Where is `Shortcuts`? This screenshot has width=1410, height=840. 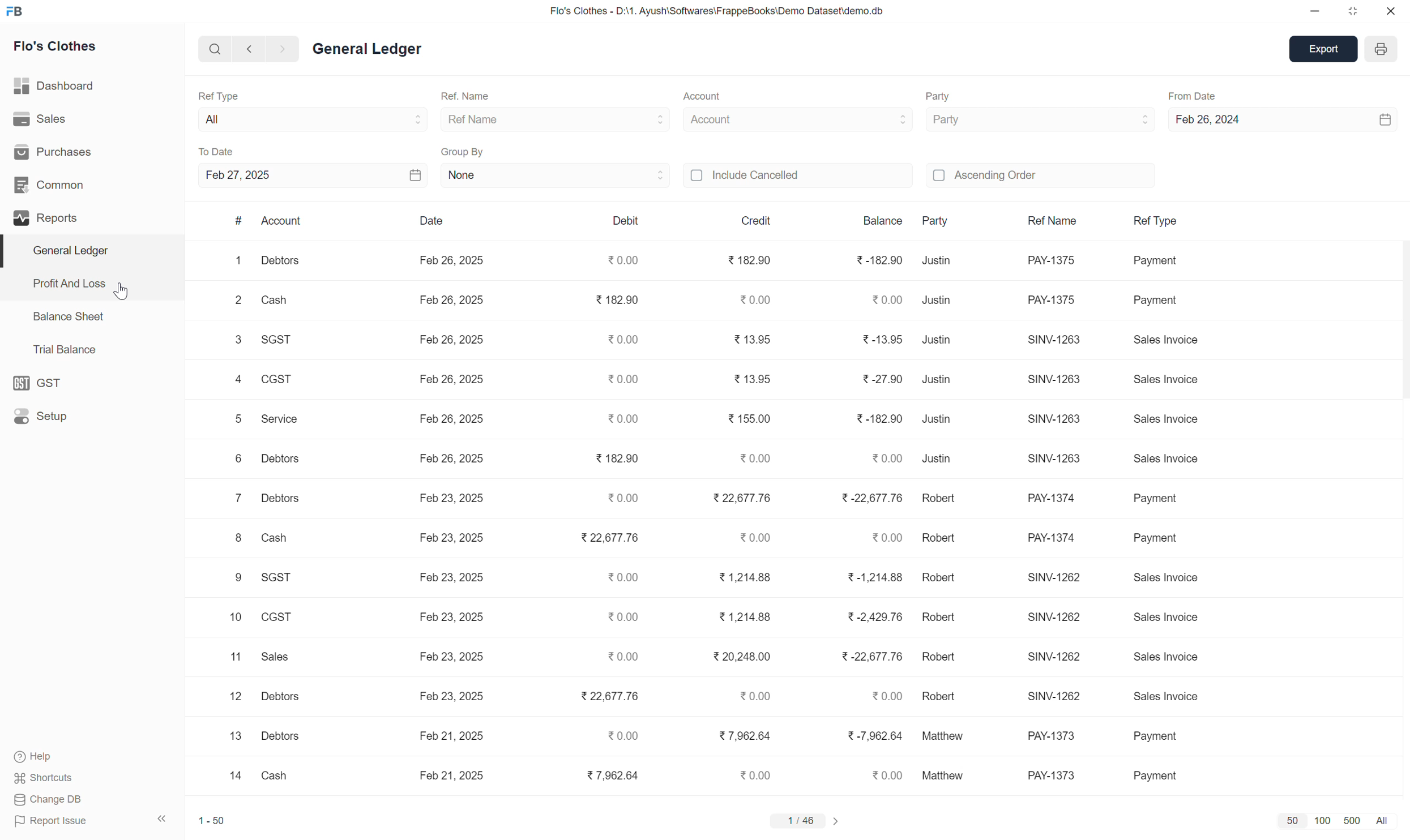
Shortcuts is located at coordinates (49, 777).